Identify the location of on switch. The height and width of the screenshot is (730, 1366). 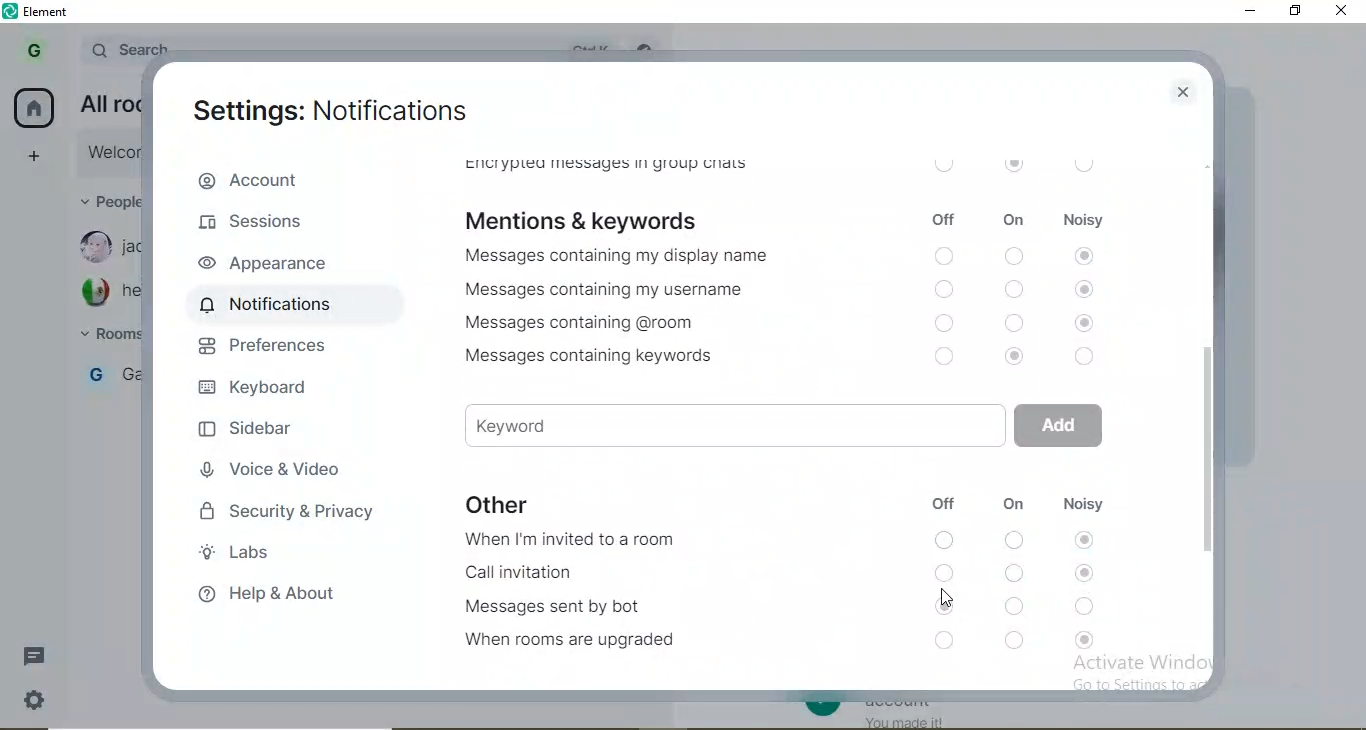
(1012, 164).